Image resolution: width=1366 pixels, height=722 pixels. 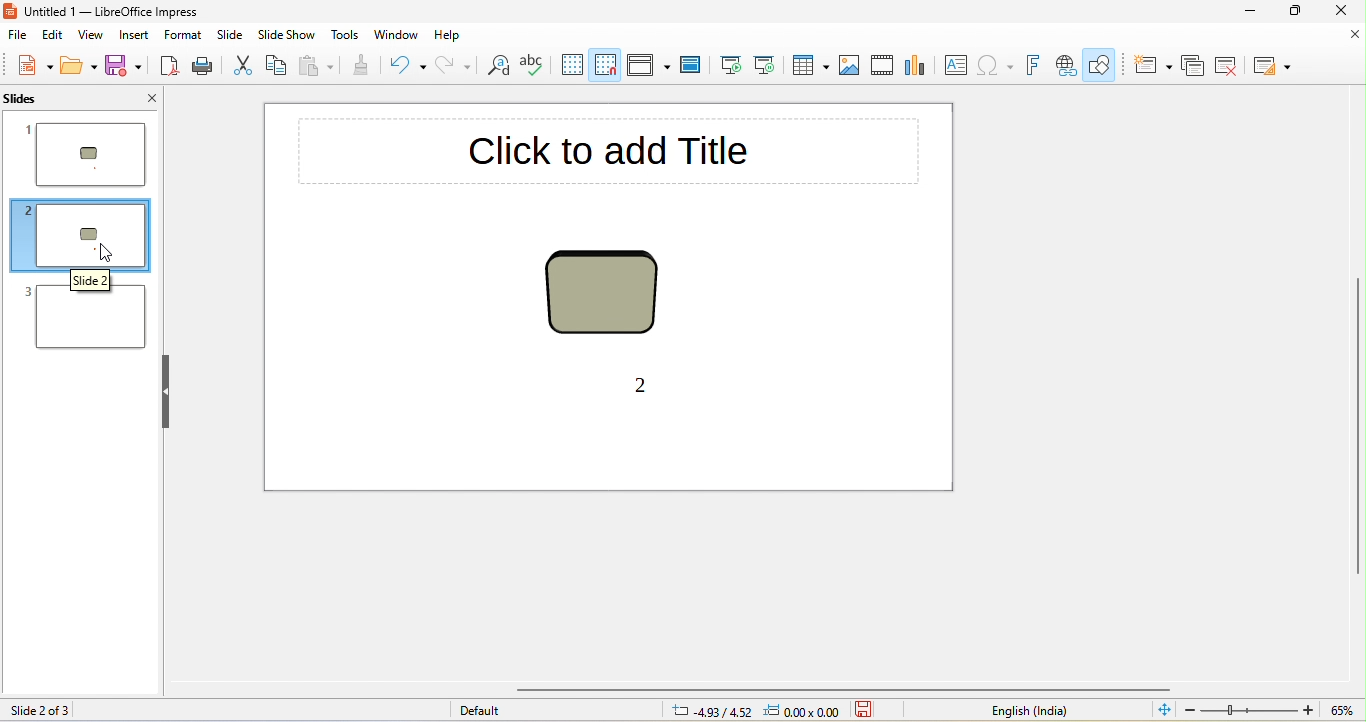 What do you see at coordinates (993, 66) in the screenshot?
I see `special character` at bounding box center [993, 66].